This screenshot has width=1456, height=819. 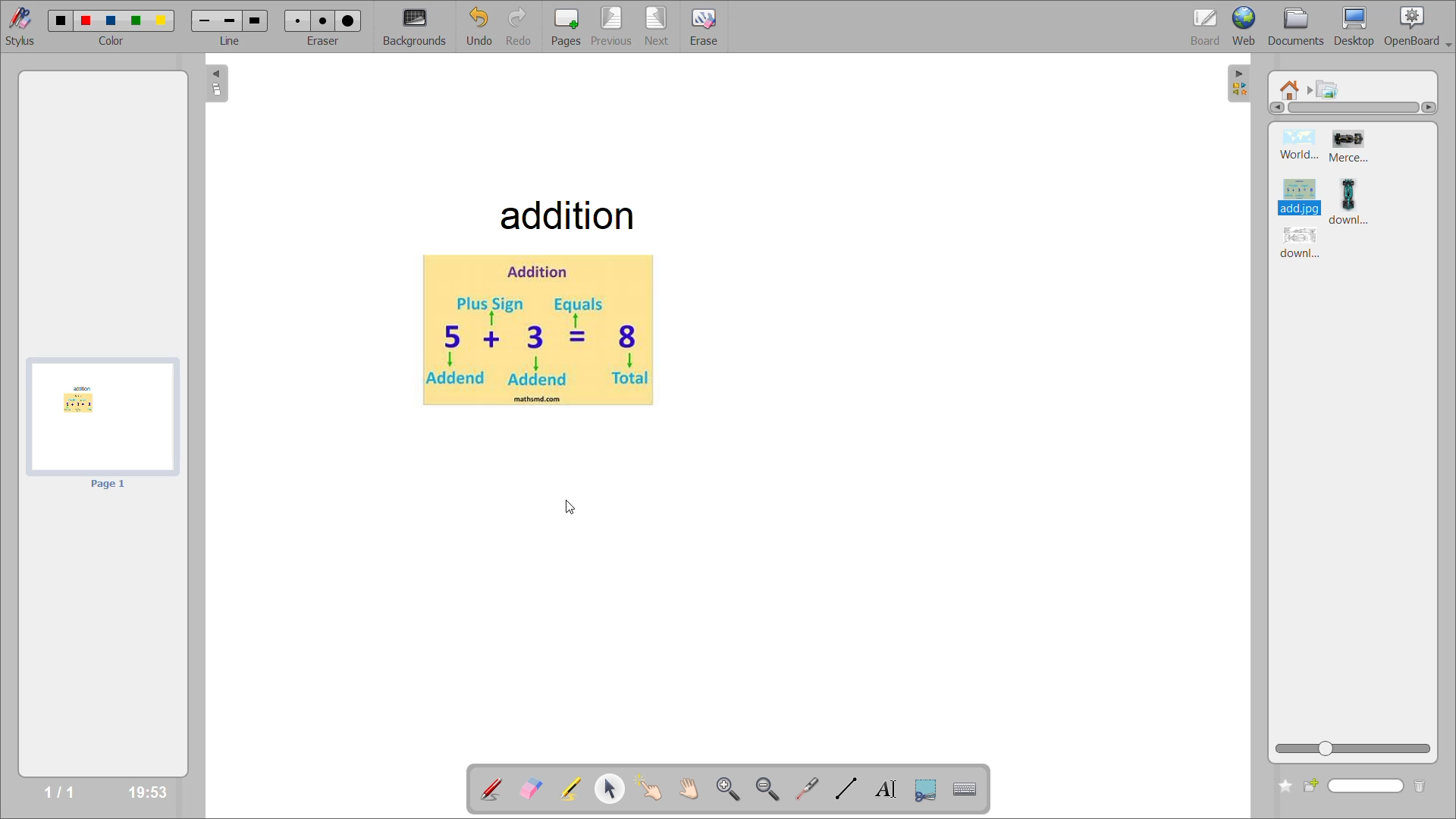 I want to click on annotate document, so click(x=490, y=790).